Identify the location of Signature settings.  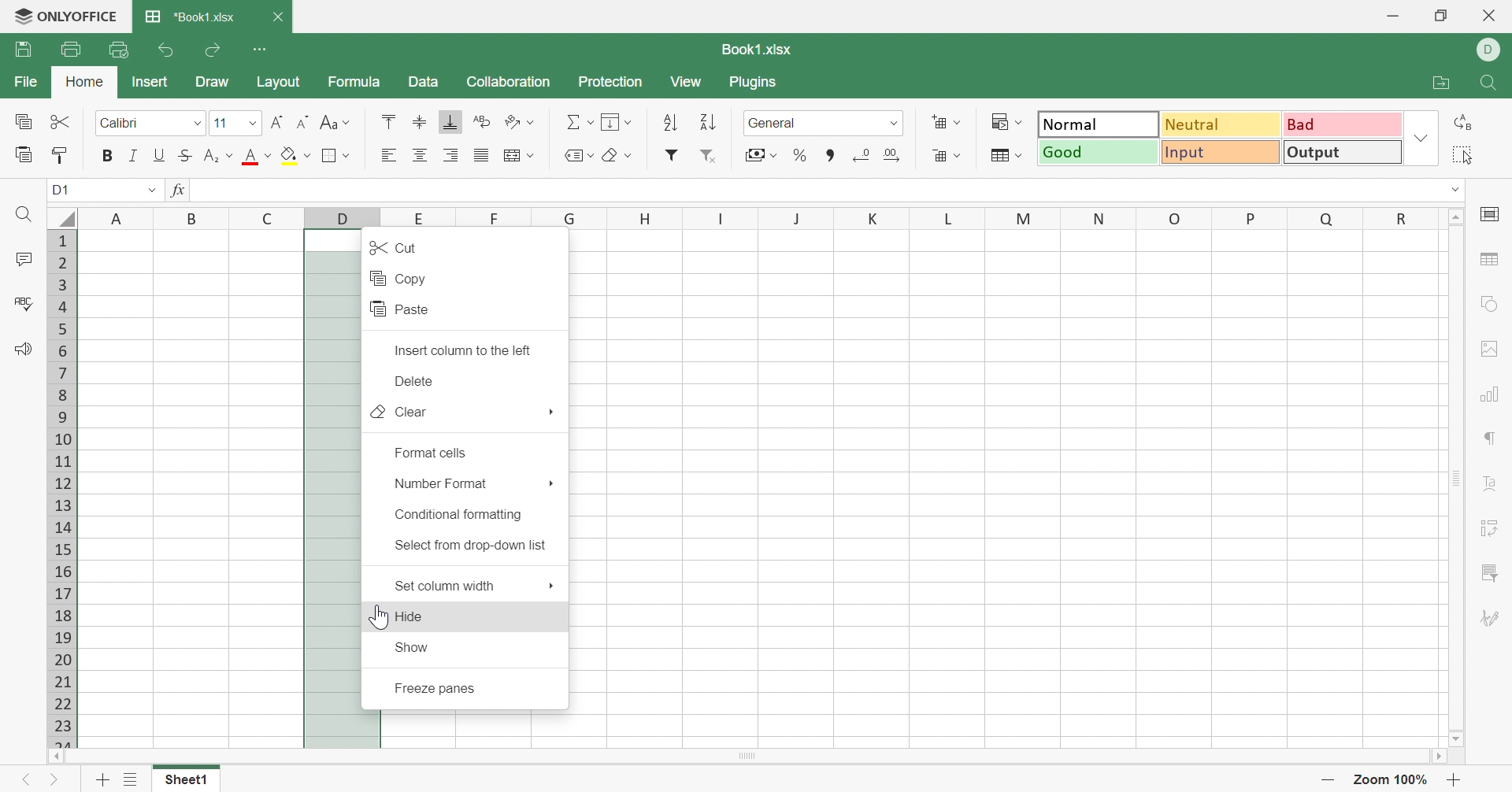
(1492, 616).